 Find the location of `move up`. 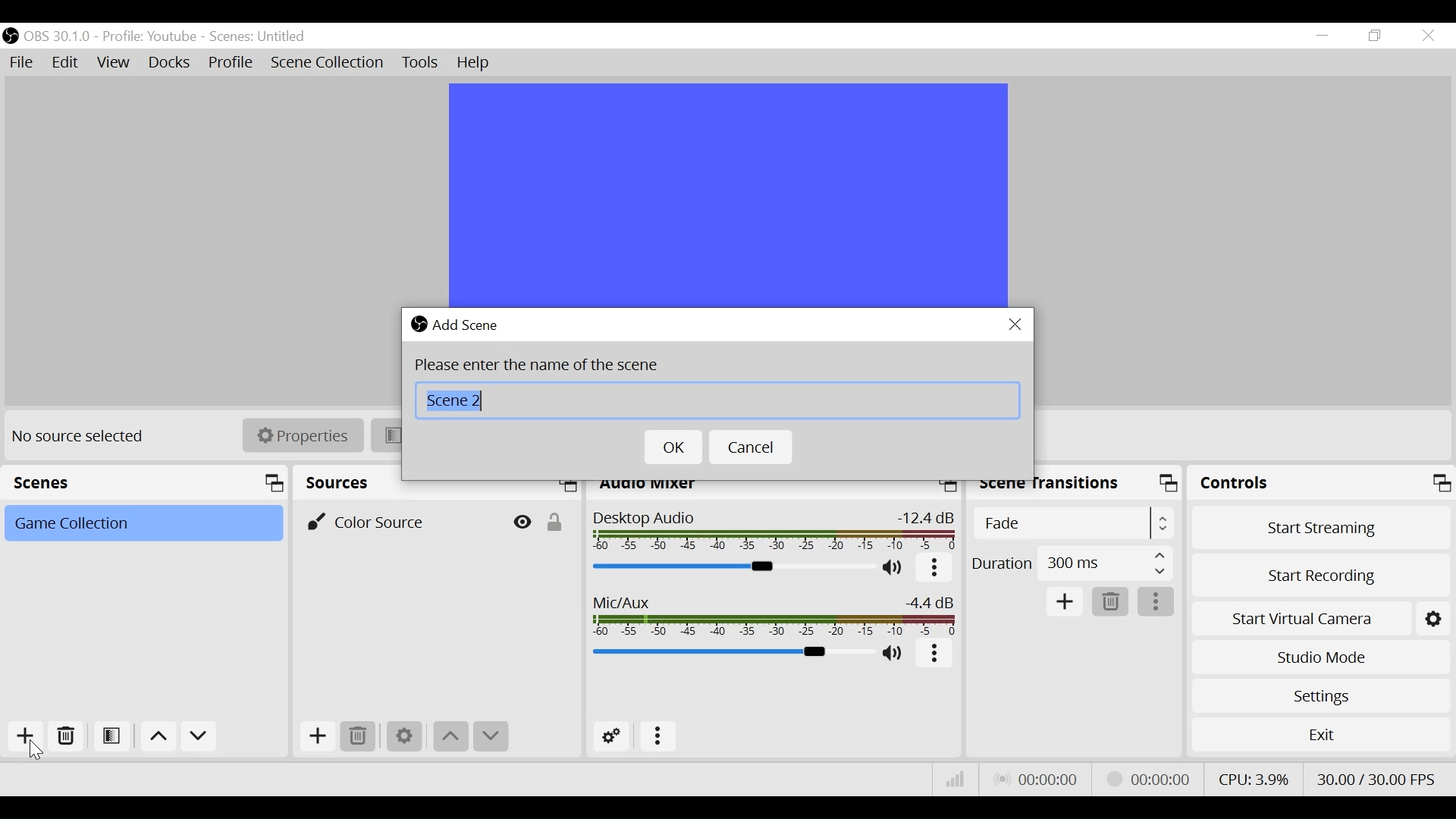

move up is located at coordinates (156, 736).